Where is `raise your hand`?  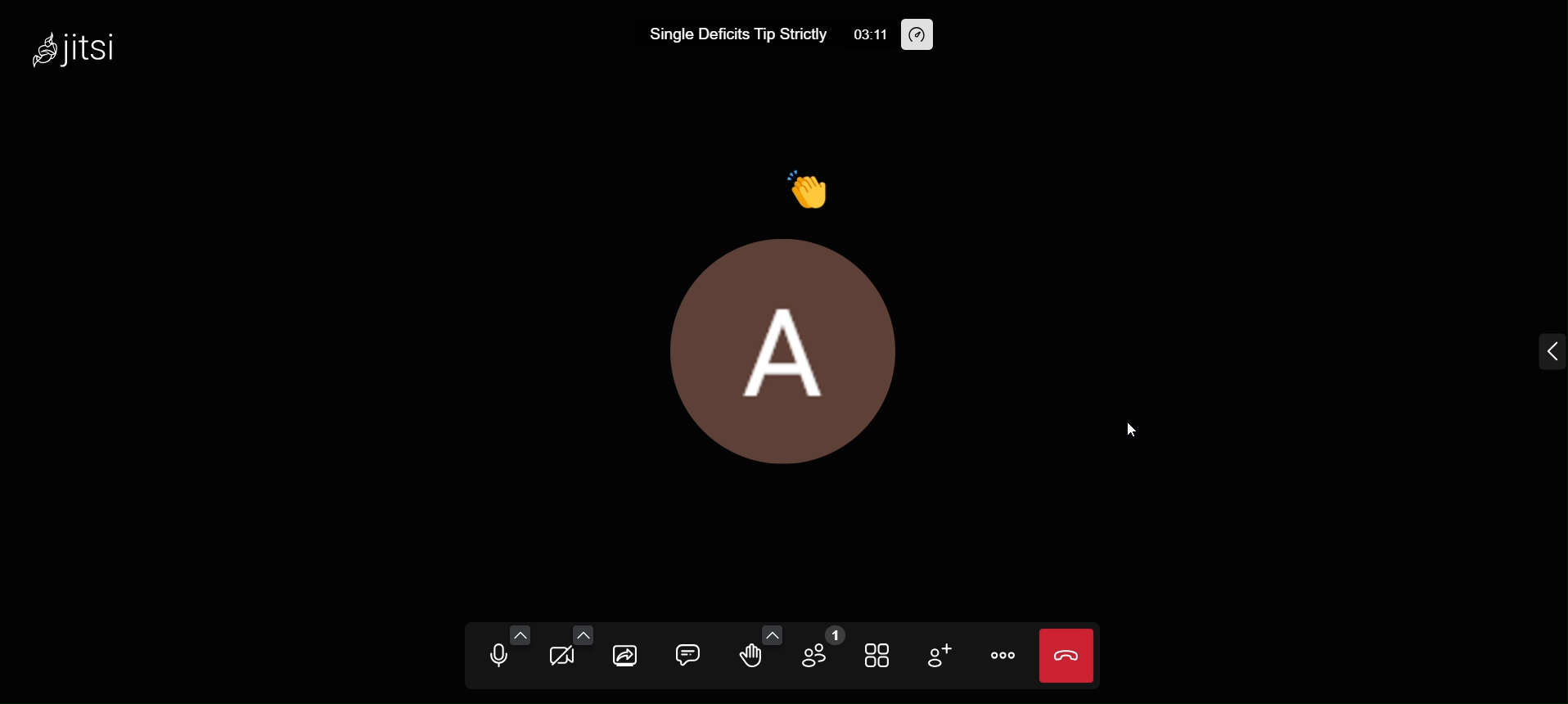
raise your hand is located at coordinates (744, 661).